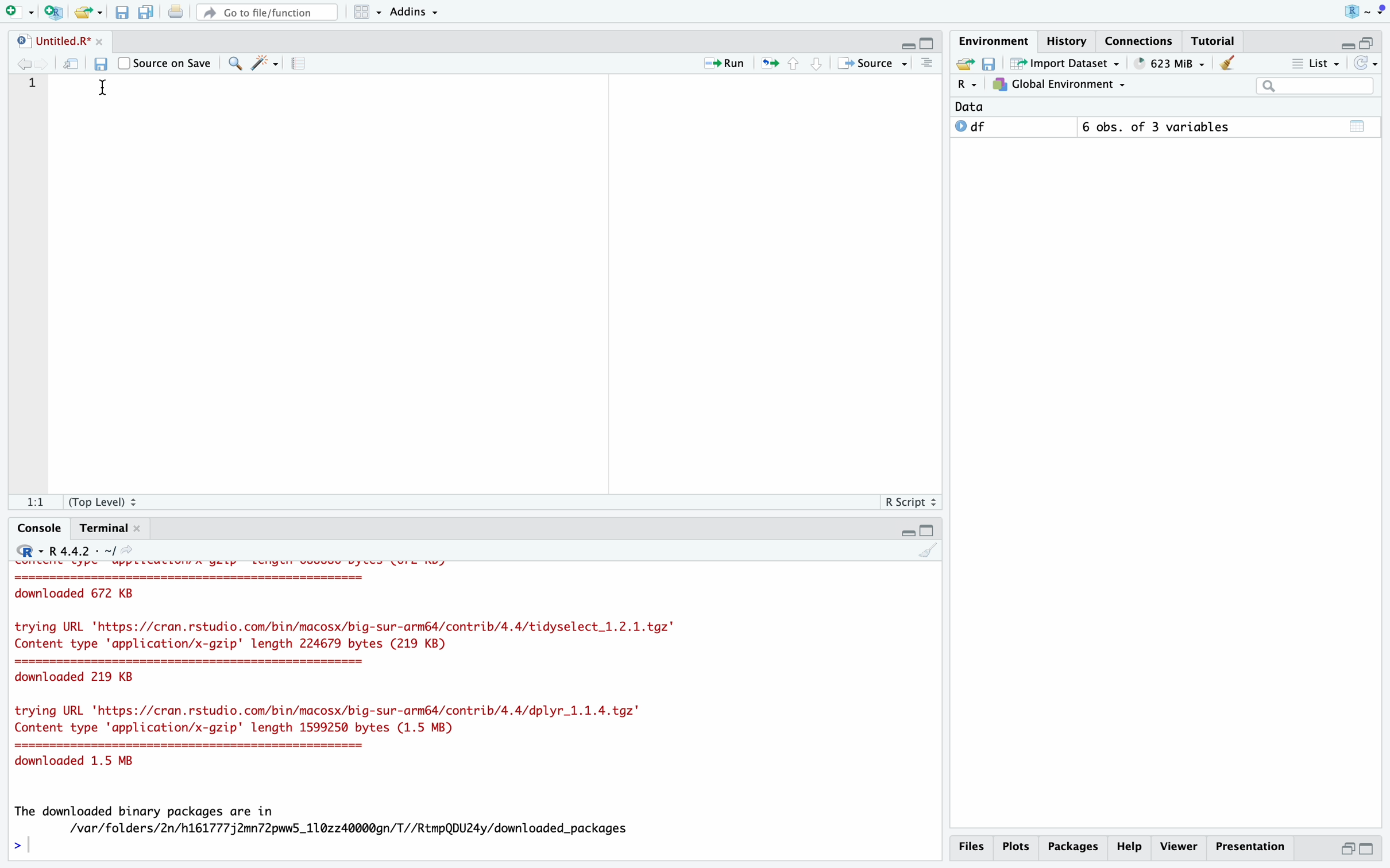 Image resolution: width=1390 pixels, height=868 pixels. Describe the element at coordinates (40, 528) in the screenshot. I see `Console` at that location.